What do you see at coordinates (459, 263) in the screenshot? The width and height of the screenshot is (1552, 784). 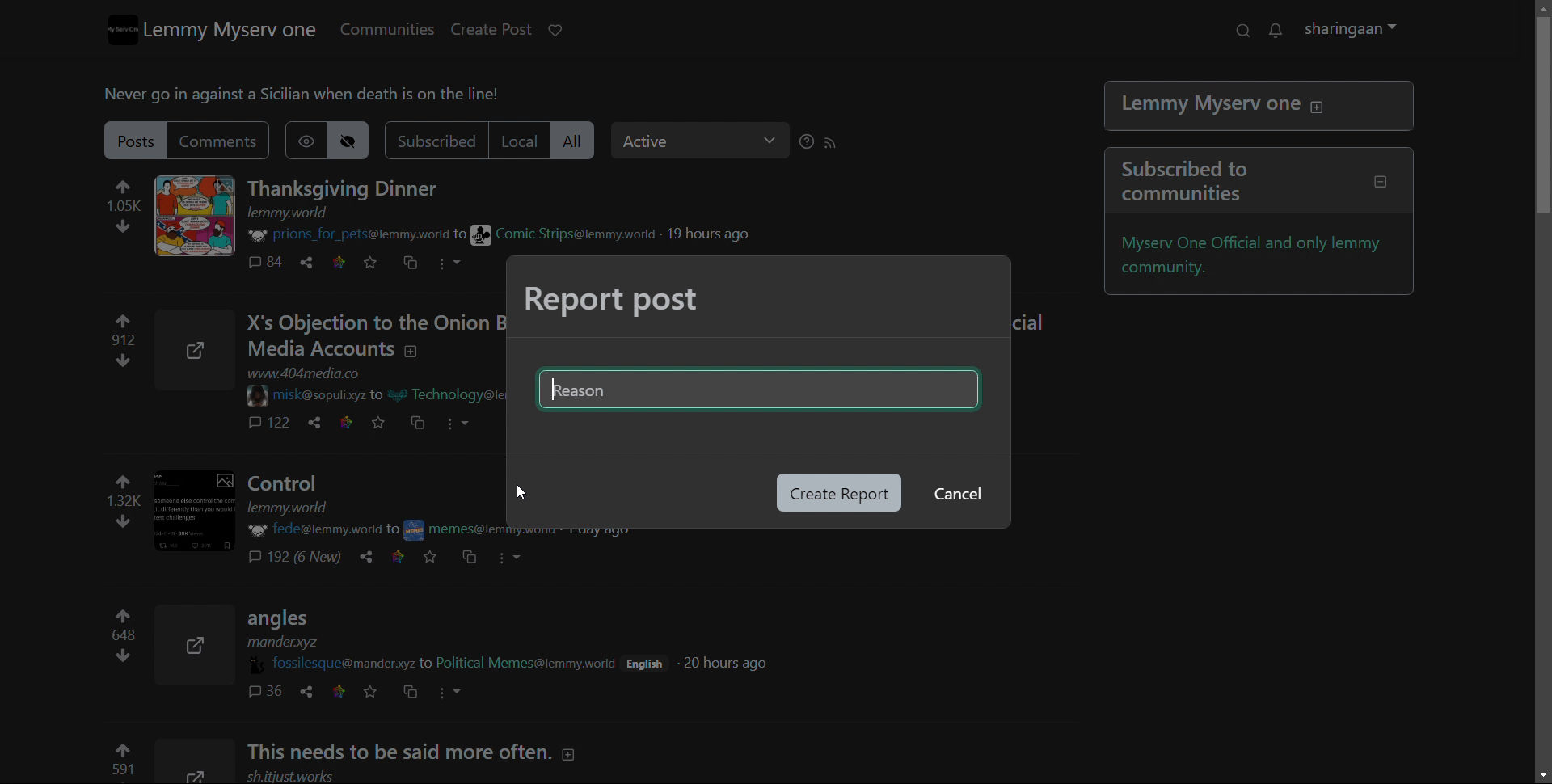 I see `options` at bounding box center [459, 263].